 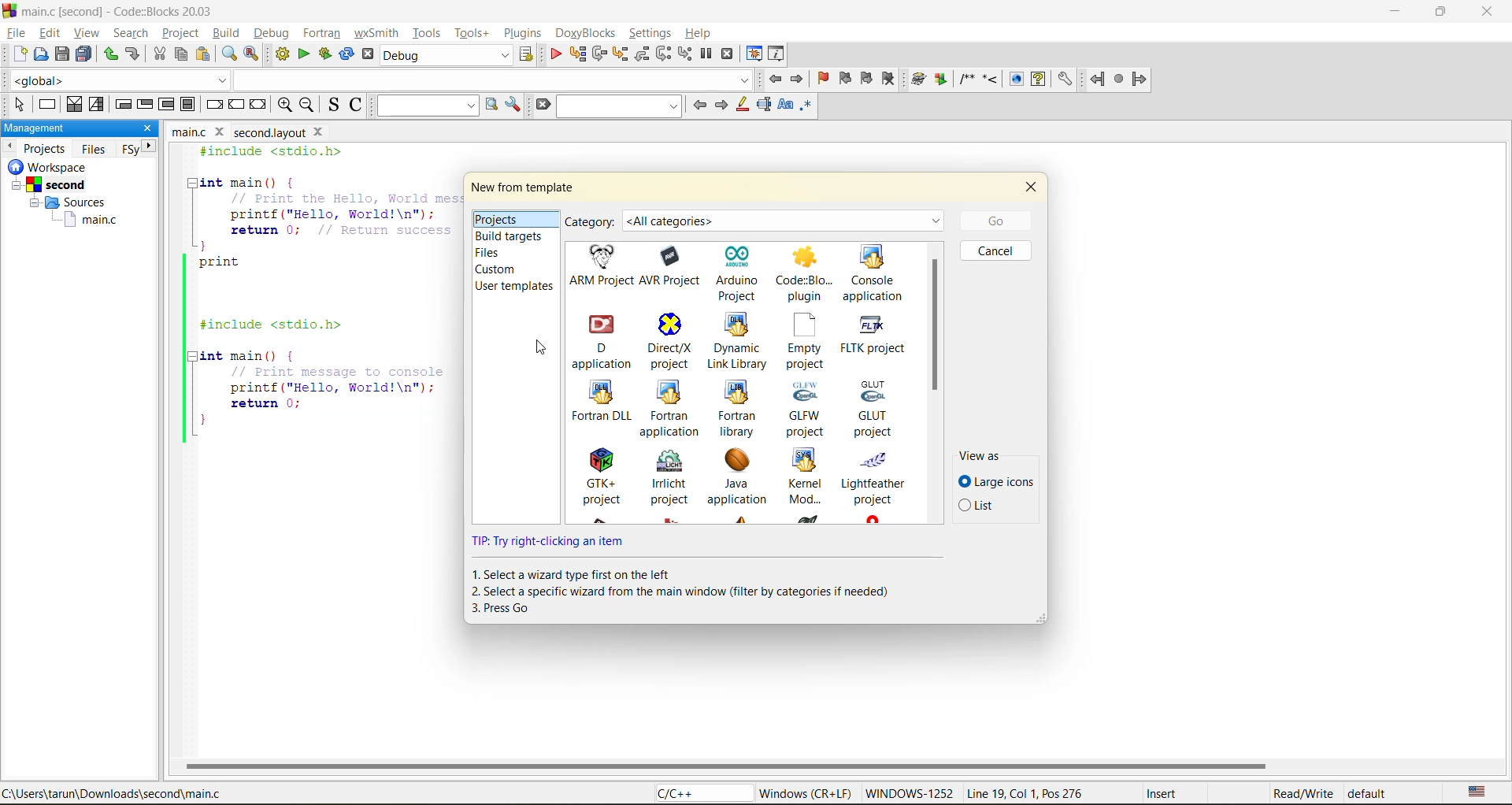 What do you see at coordinates (617, 107) in the screenshot?
I see `search` at bounding box center [617, 107].